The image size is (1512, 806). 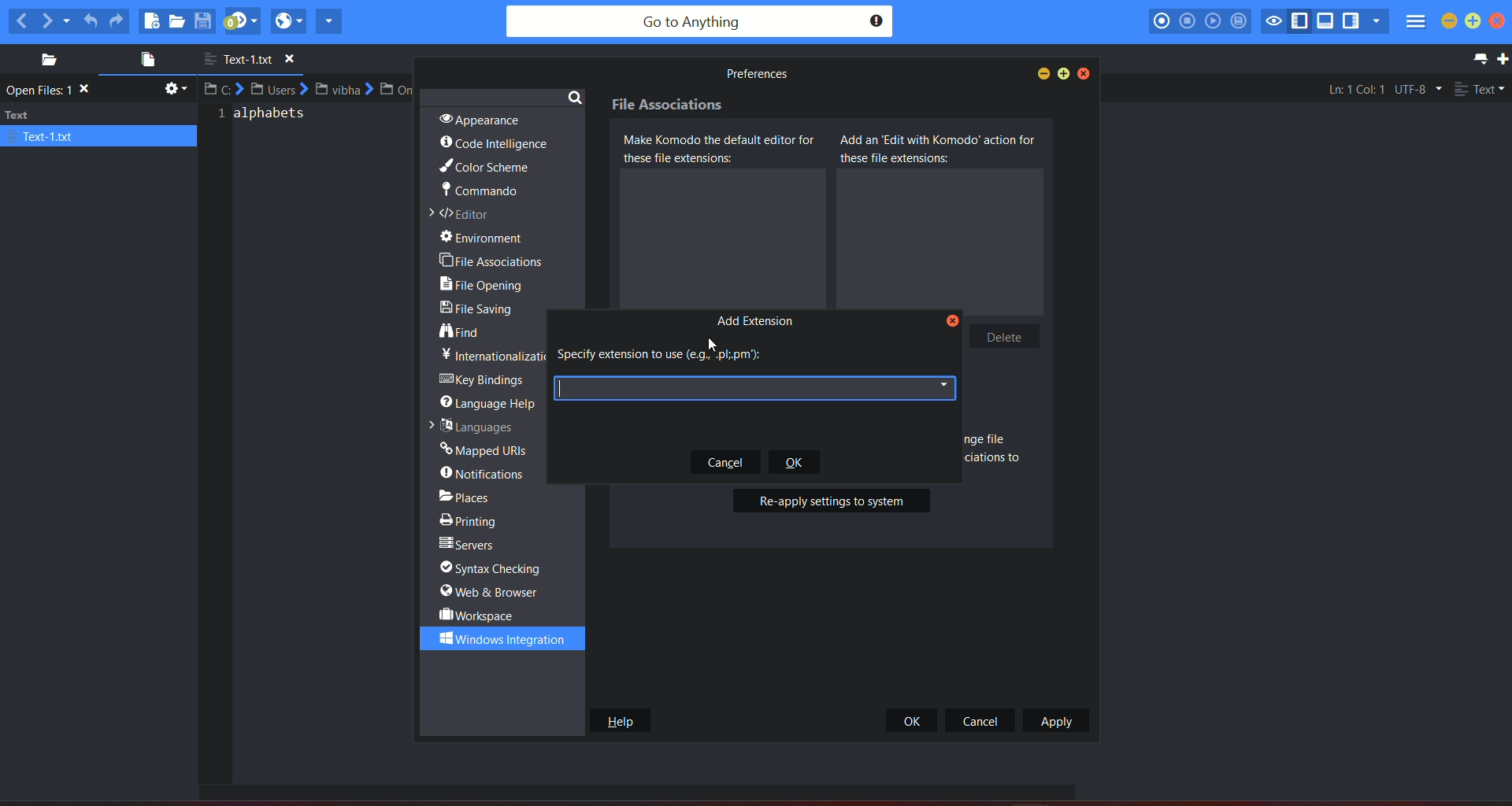 What do you see at coordinates (469, 425) in the screenshot?
I see `languages` at bounding box center [469, 425].